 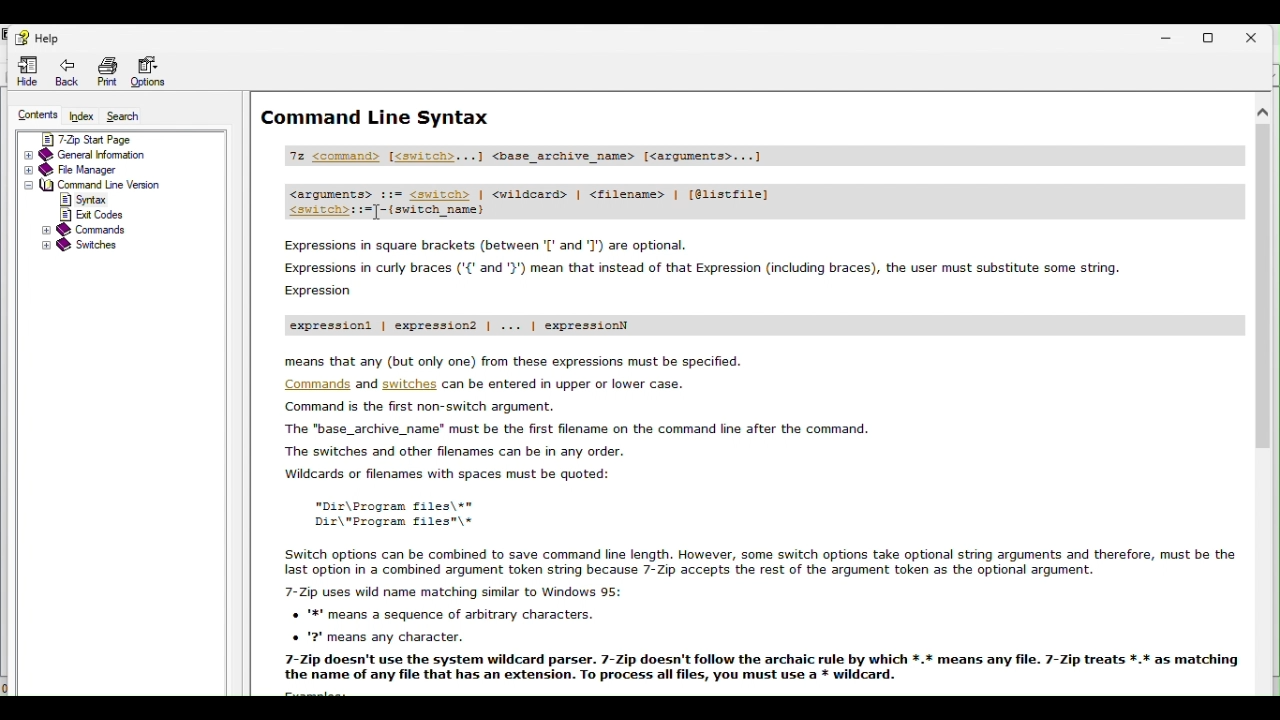 I want to click on text, so click(x=628, y=196).